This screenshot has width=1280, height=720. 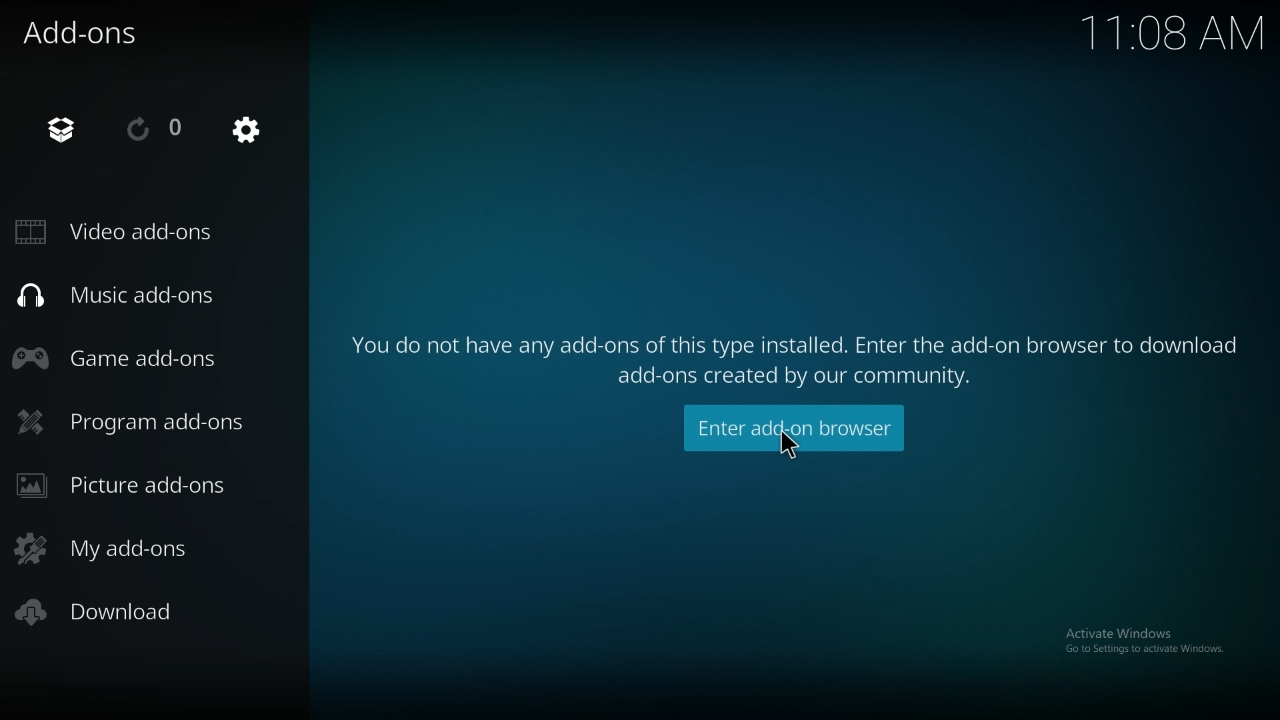 What do you see at coordinates (127, 547) in the screenshot?
I see `my add ons` at bounding box center [127, 547].